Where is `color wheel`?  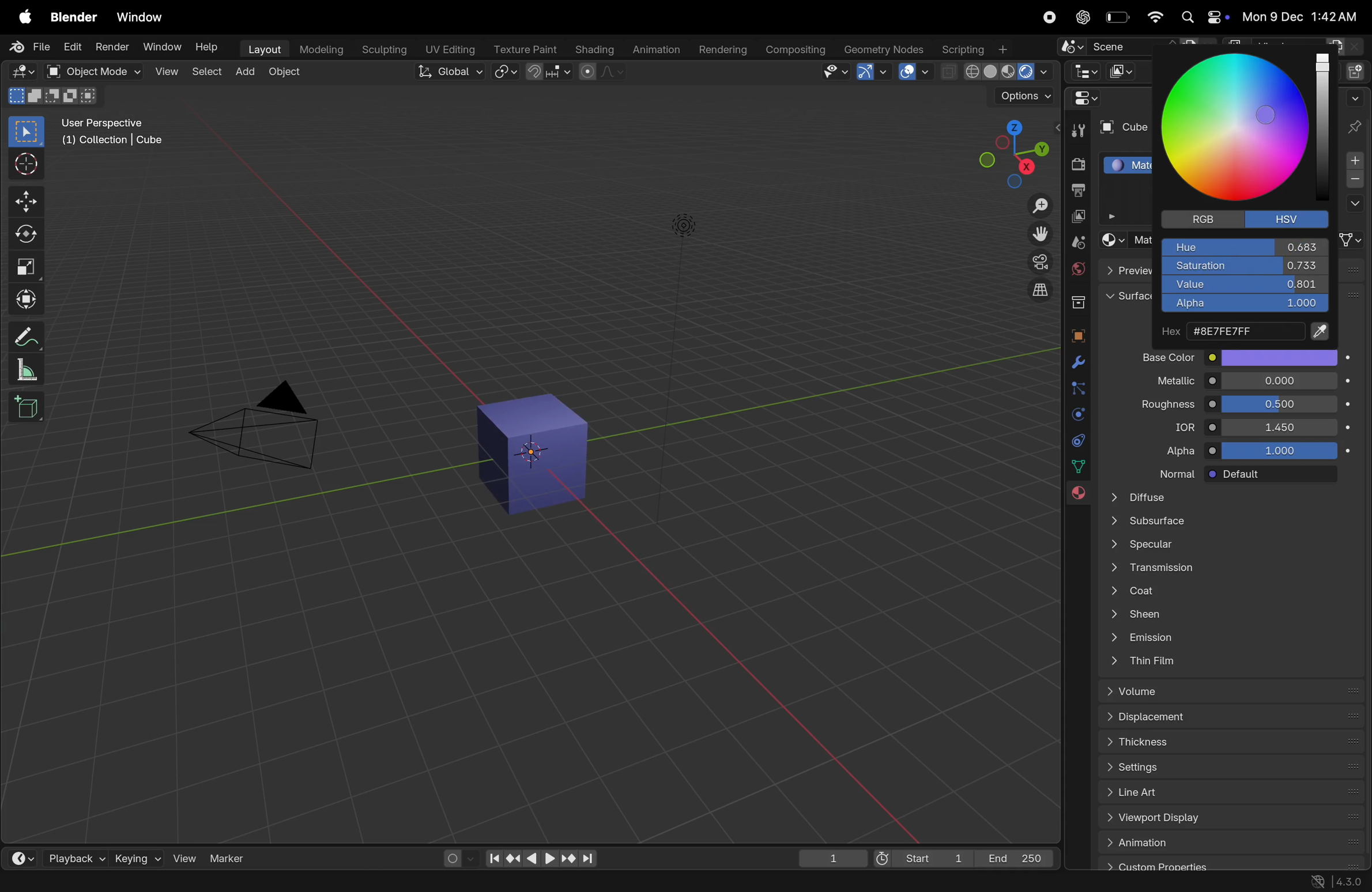
color wheel is located at coordinates (1241, 129).